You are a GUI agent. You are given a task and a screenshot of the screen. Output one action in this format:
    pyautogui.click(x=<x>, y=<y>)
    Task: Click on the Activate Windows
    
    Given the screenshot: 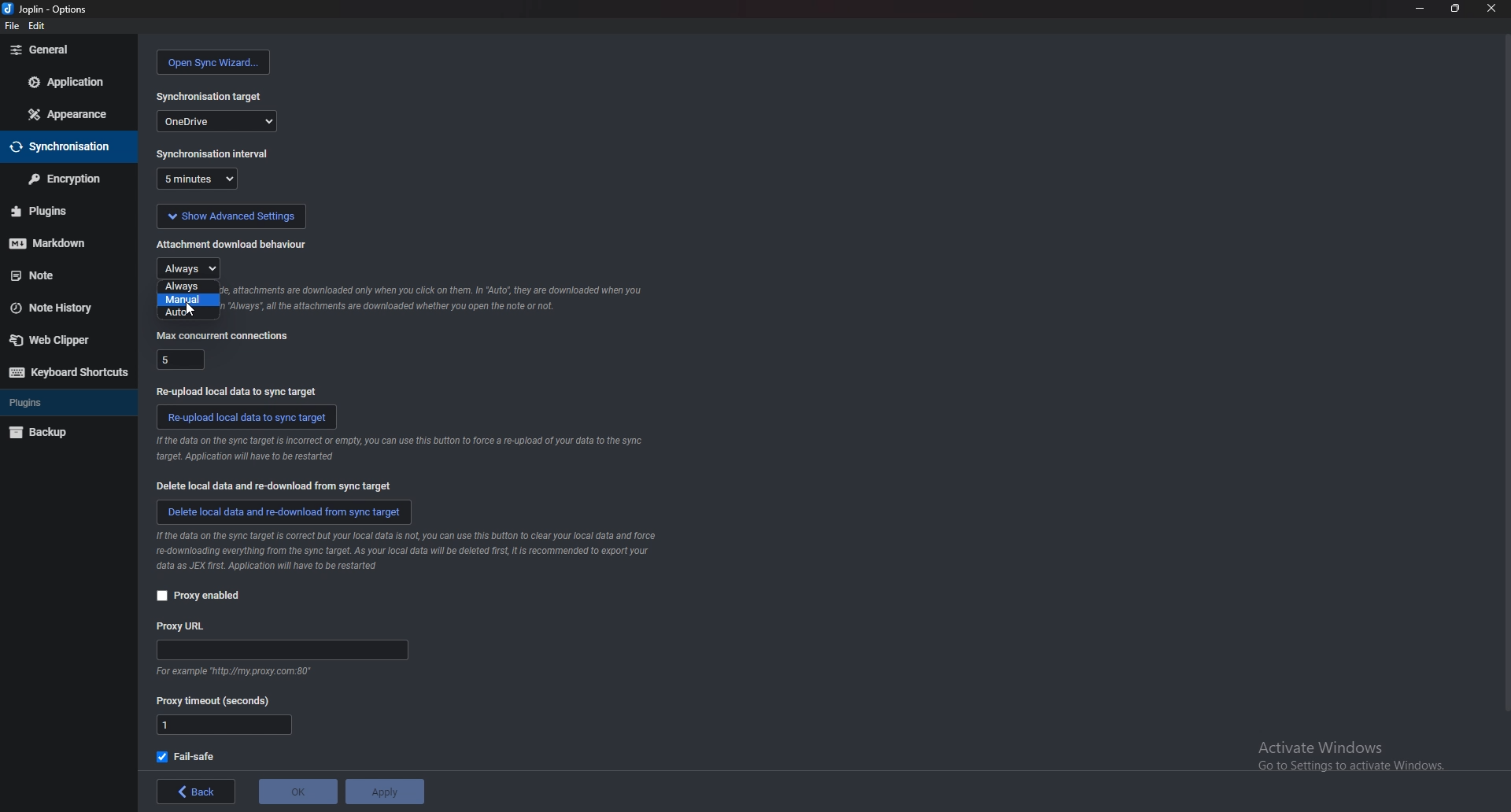 What is the action you would take?
    pyautogui.click(x=1340, y=754)
    